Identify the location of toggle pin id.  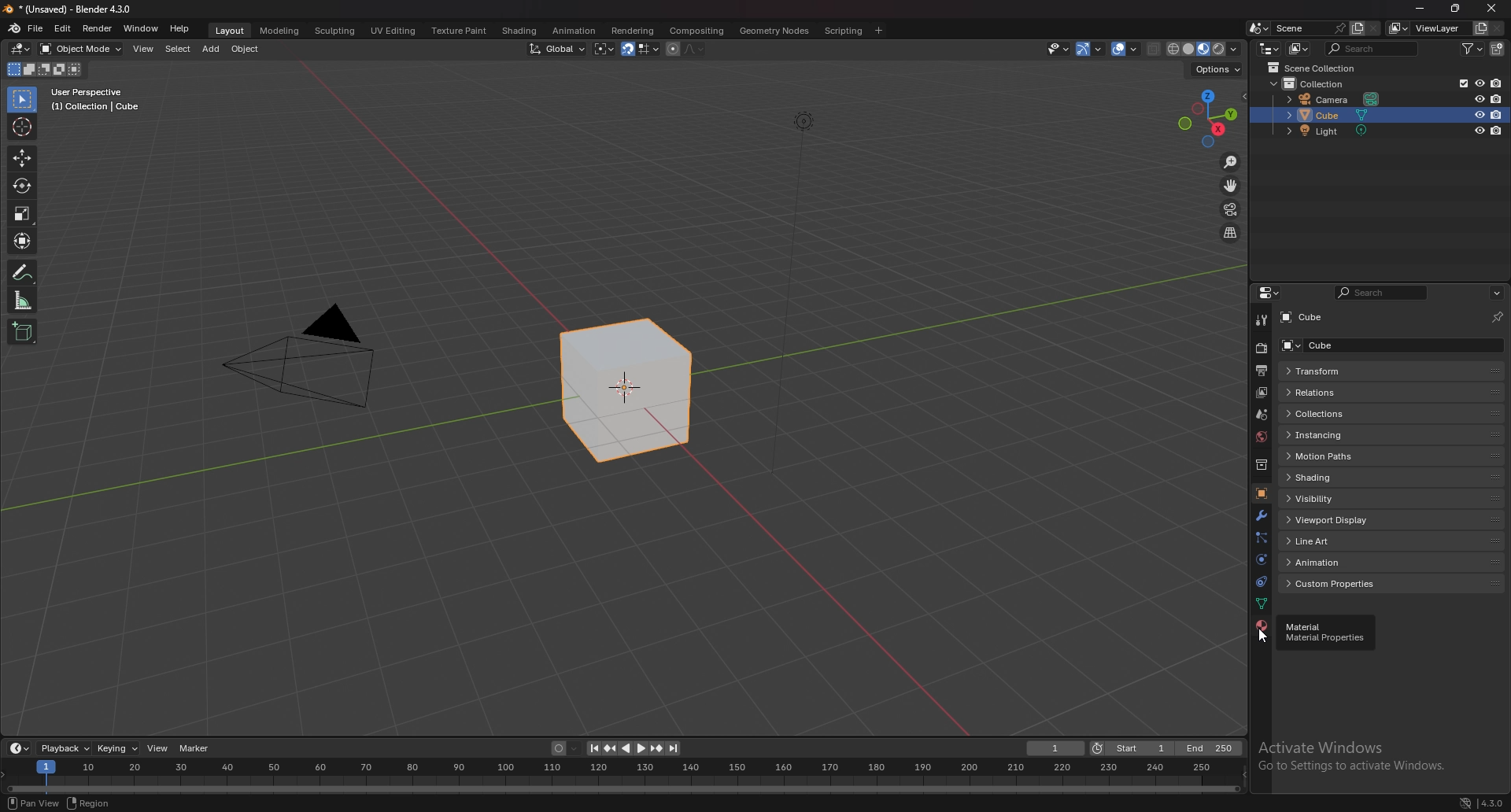
(1496, 317).